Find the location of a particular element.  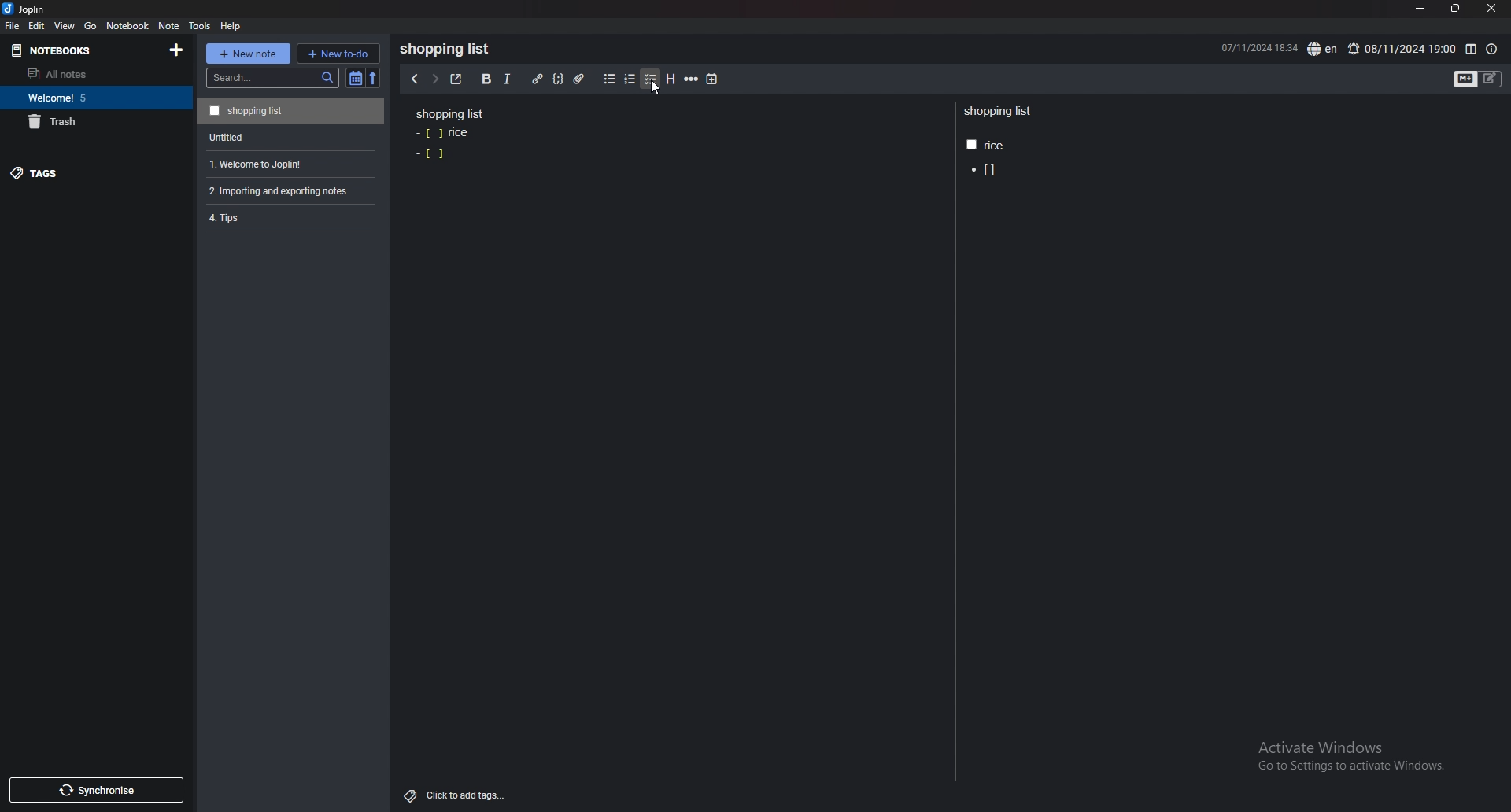

new note is located at coordinates (247, 54).